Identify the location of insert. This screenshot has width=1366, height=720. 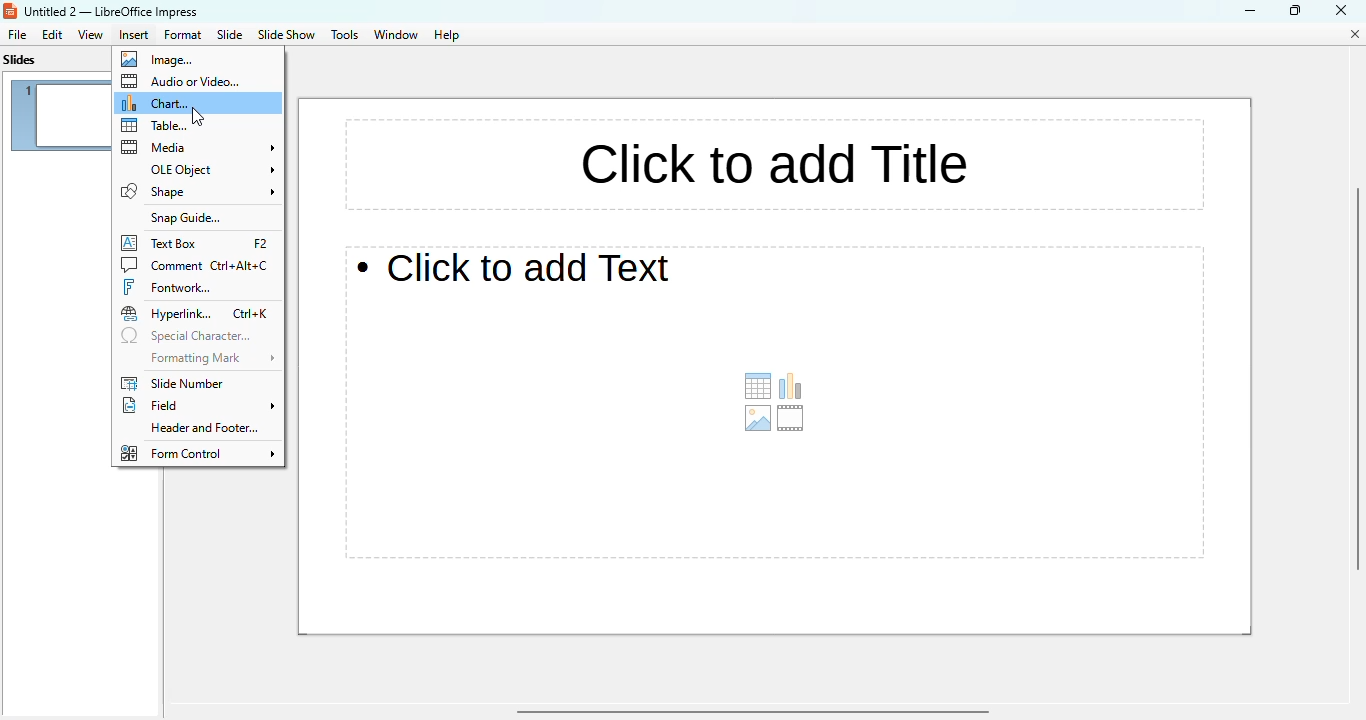
(133, 35).